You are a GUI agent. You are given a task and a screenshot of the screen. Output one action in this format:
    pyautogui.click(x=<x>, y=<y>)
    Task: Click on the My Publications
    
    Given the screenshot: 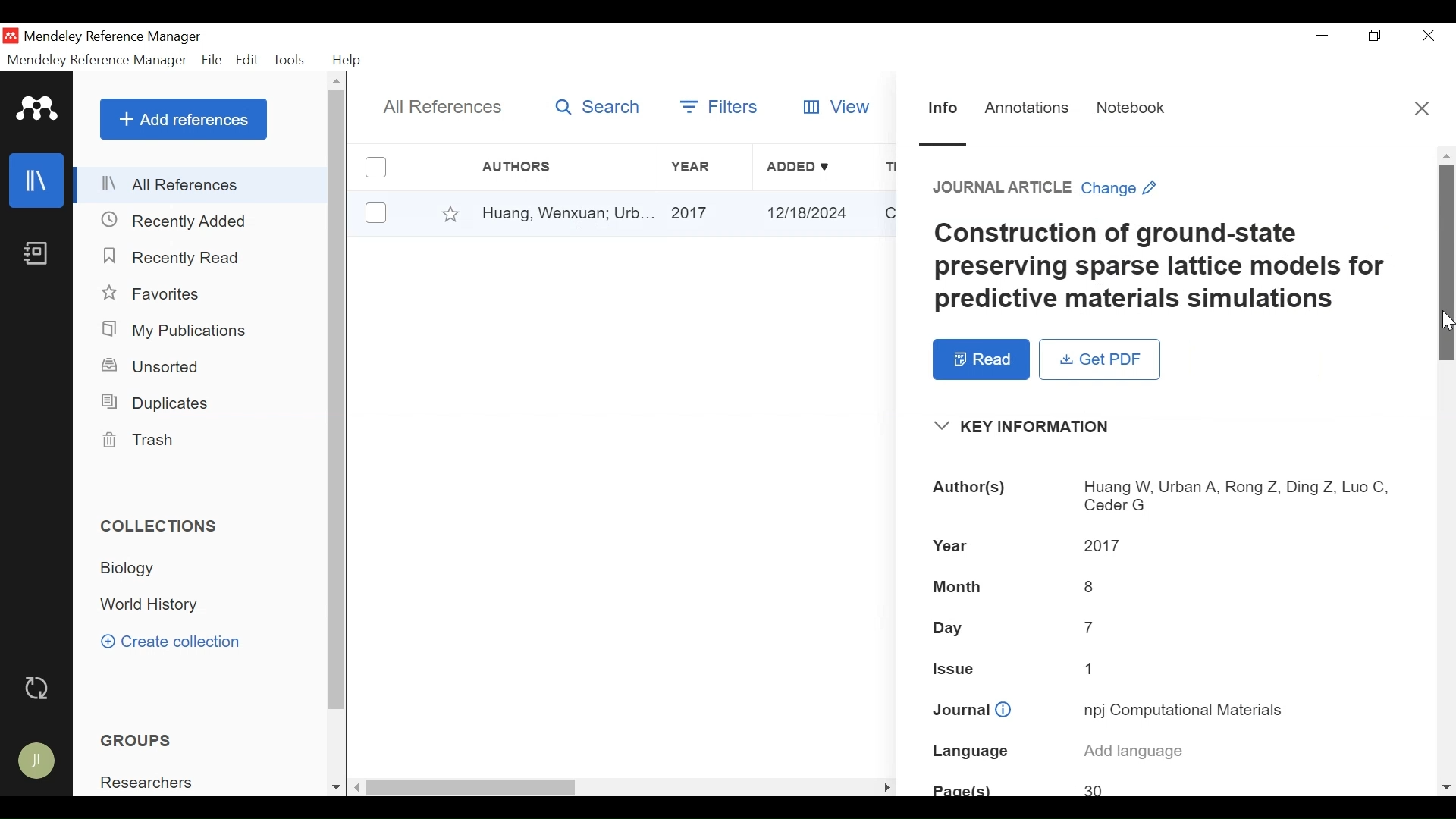 What is the action you would take?
    pyautogui.click(x=185, y=330)
    